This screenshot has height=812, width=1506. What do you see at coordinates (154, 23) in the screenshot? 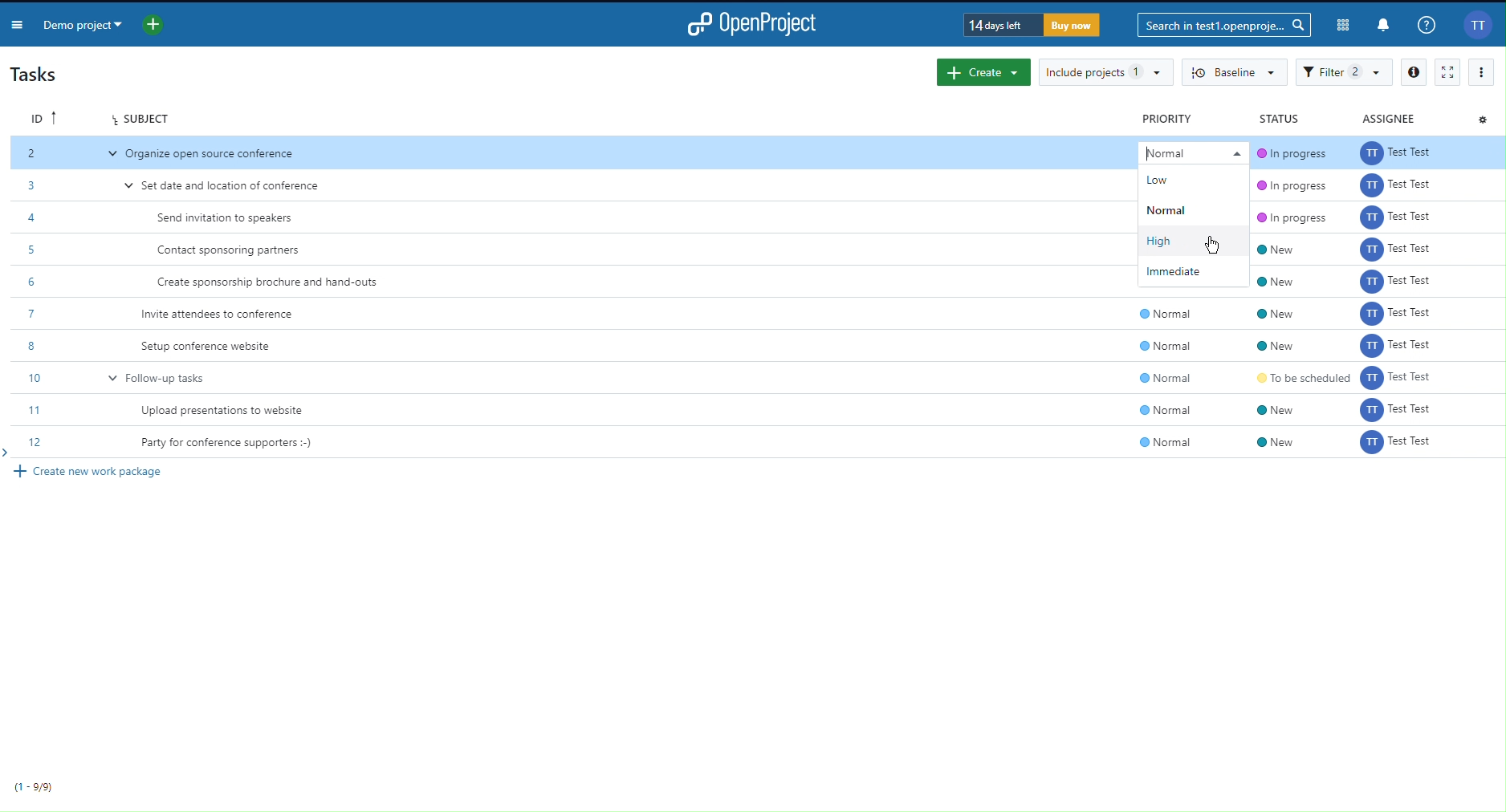
I see `New Project` at bounding box center [154, 23].